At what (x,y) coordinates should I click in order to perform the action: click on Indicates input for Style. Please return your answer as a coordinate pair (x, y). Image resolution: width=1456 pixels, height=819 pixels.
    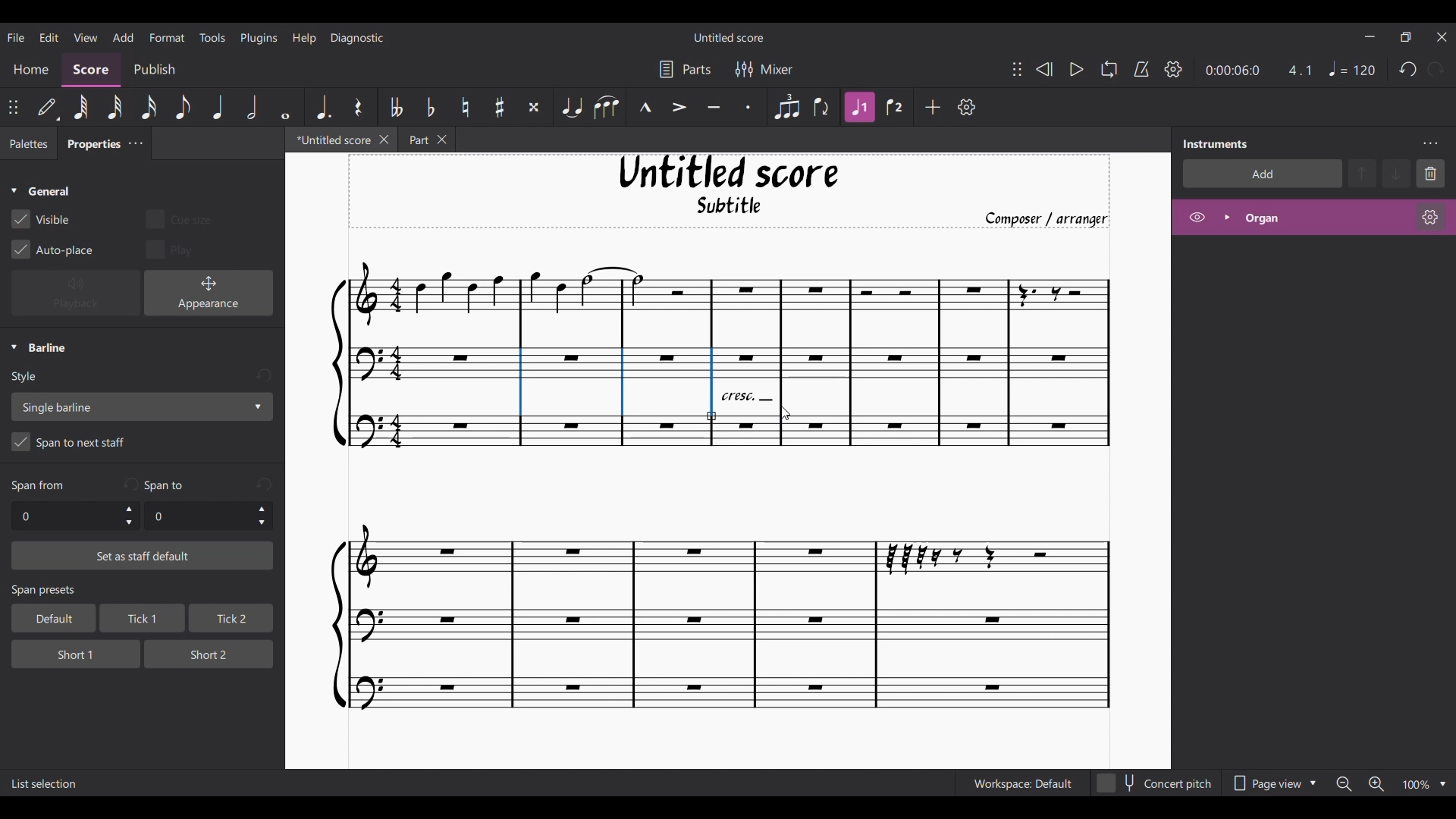
    Looking at the image, I should click on (27, 378).